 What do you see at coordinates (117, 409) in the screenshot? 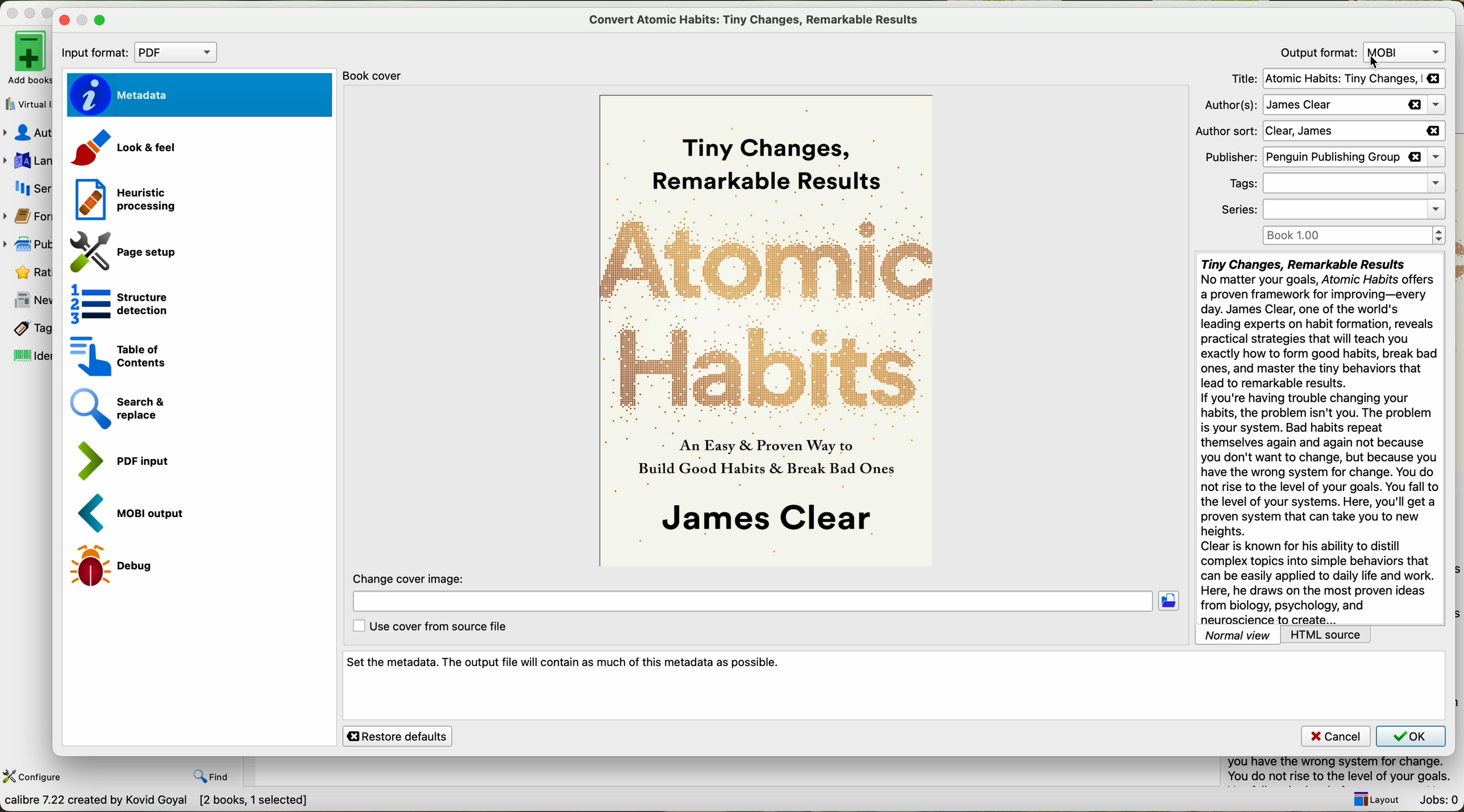
I see `search and replace` at bounding box center [117, 409].